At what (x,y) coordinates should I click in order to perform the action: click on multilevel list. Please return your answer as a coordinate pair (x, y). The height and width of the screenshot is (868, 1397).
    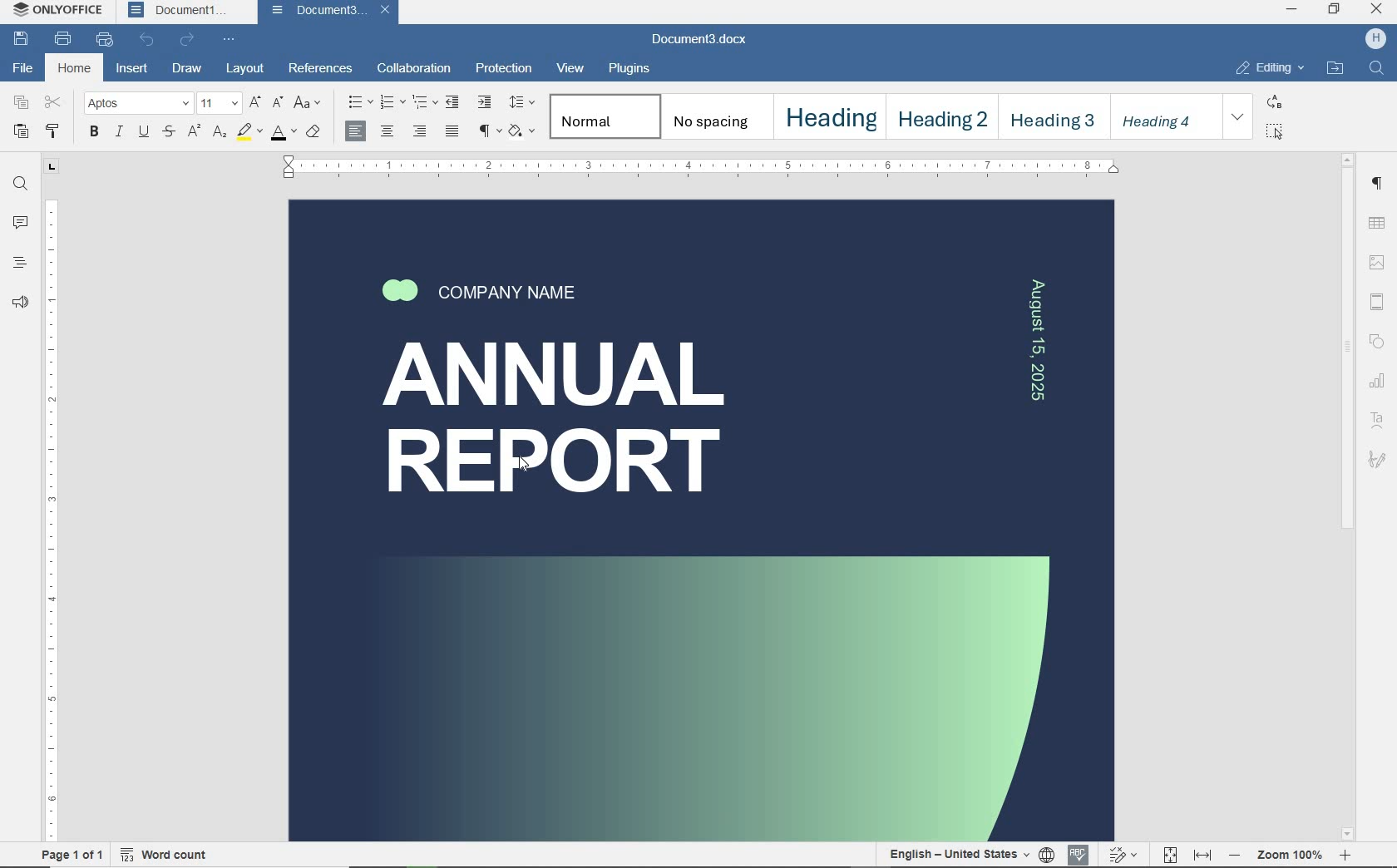
    Looking at the image, I should click on (425, 103).